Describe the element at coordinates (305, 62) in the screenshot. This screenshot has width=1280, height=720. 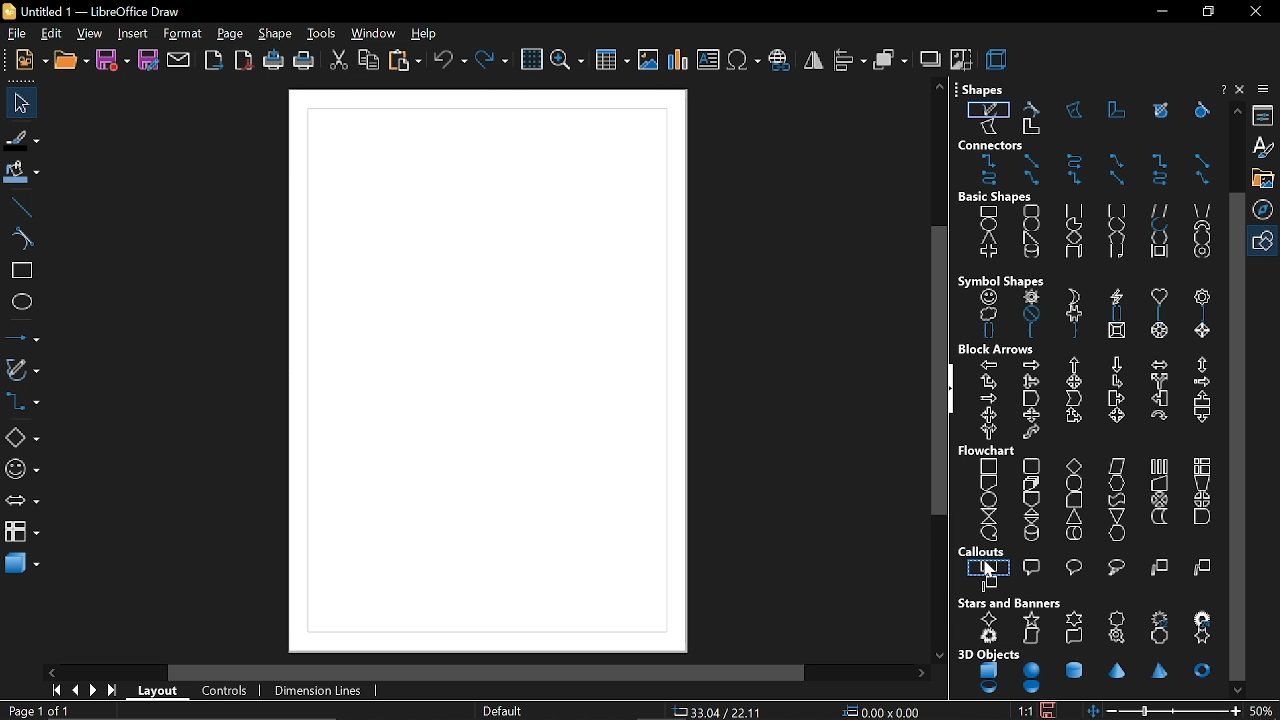
I see `print` at that location.